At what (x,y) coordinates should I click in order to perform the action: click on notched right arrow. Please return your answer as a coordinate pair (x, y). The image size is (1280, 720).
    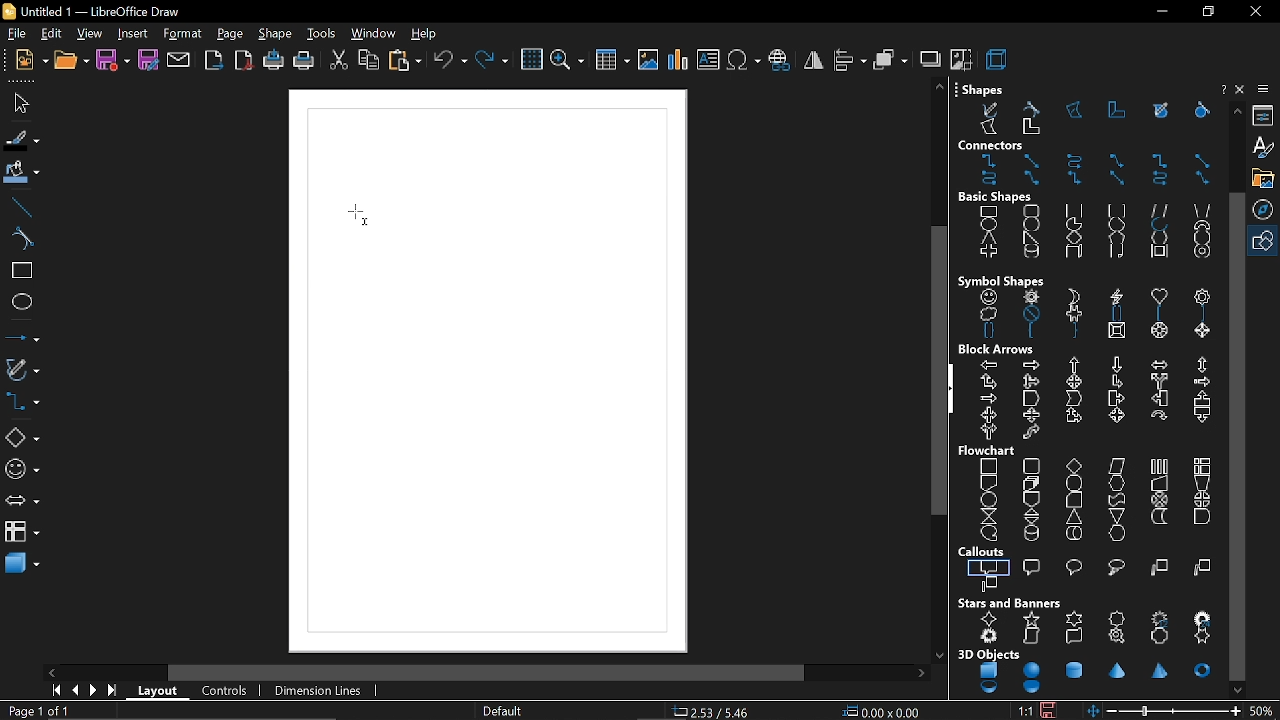
    Looking at the image, I should click on (987, 399).